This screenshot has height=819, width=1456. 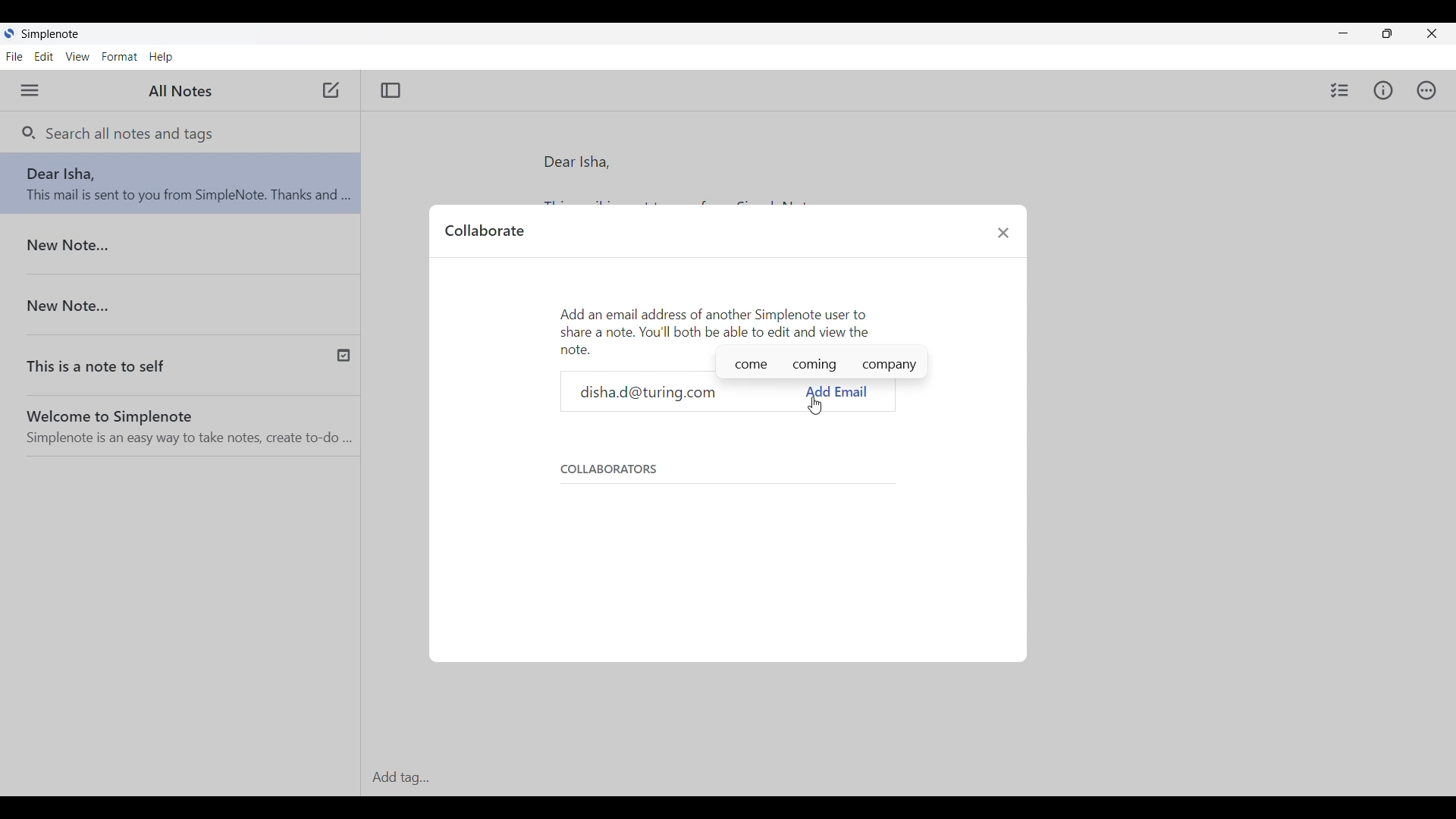 I want to click on Maximize, so click(x=1387, y=33).